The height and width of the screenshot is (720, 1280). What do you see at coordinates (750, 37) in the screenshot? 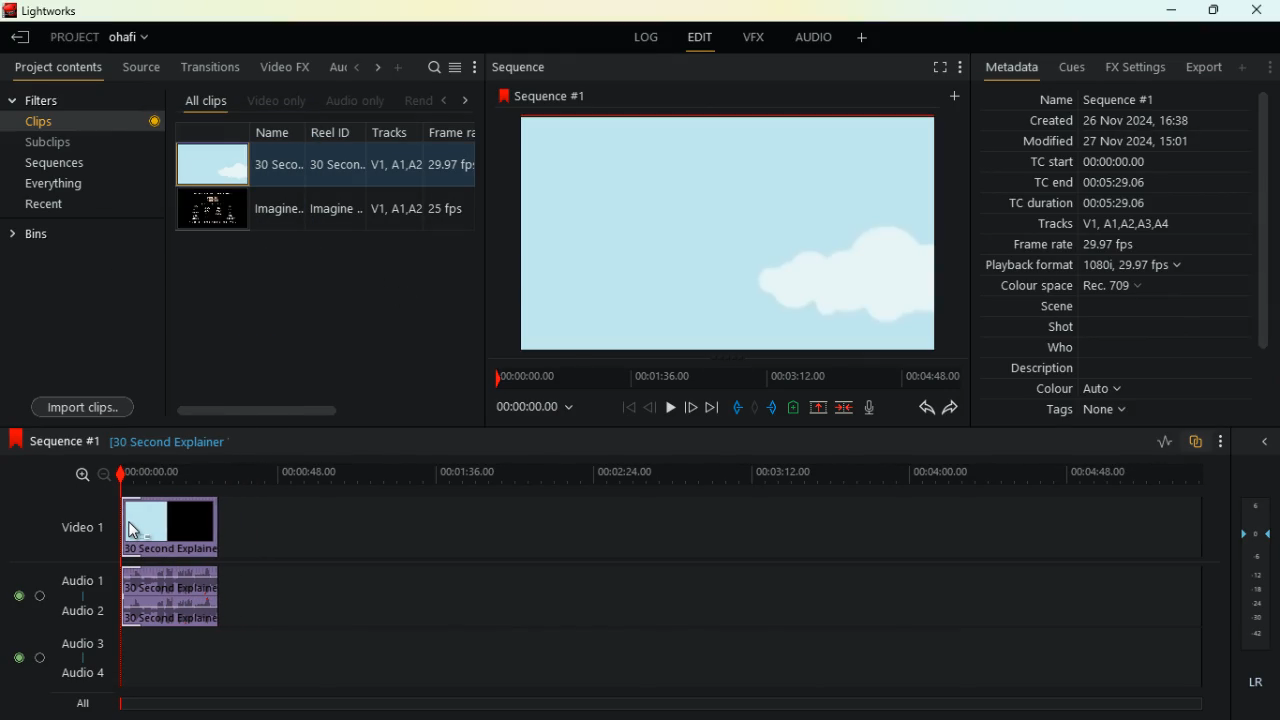
I see `vfx` at bounding box center [750, 37].